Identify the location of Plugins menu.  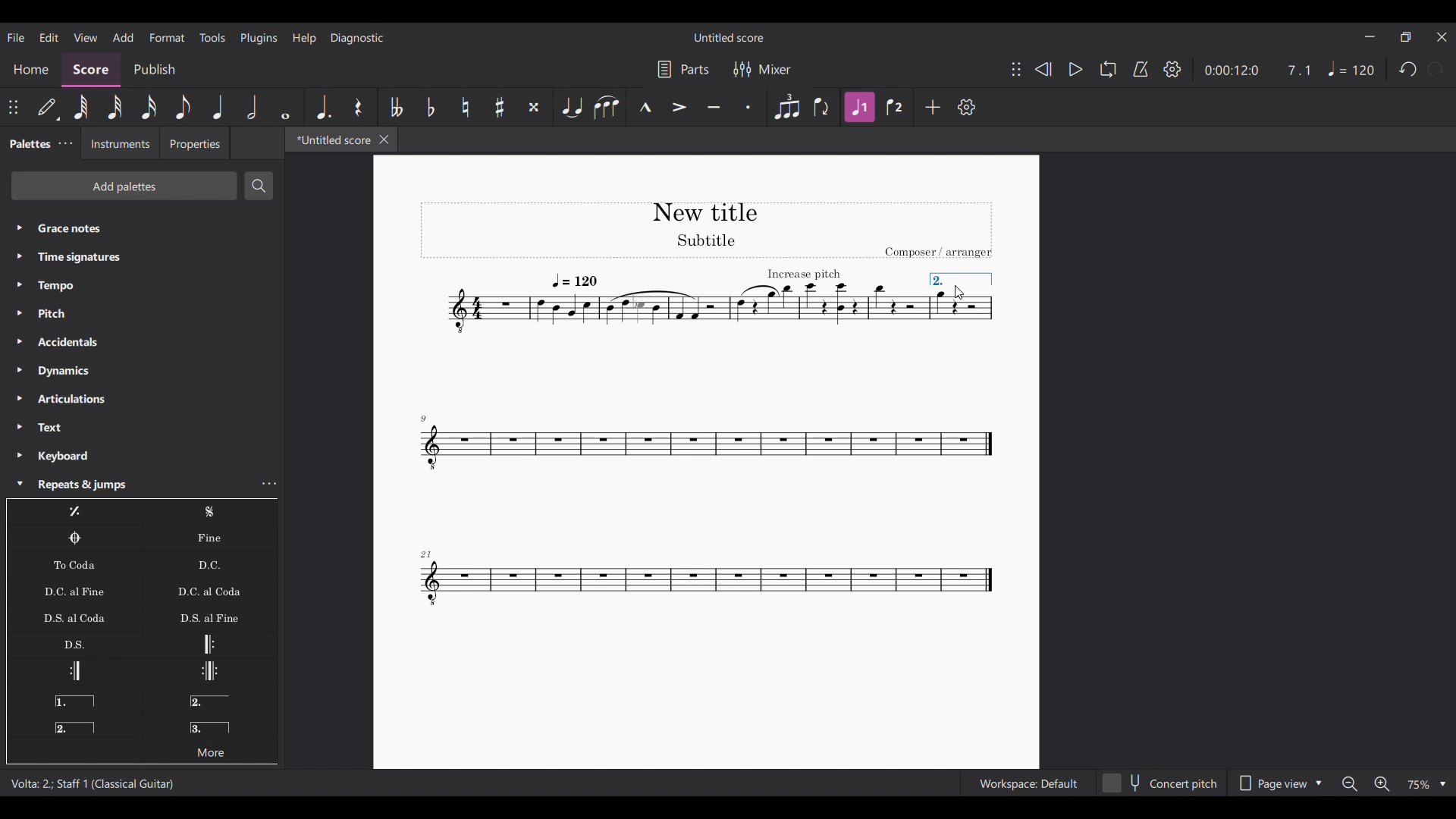
(259, 38).